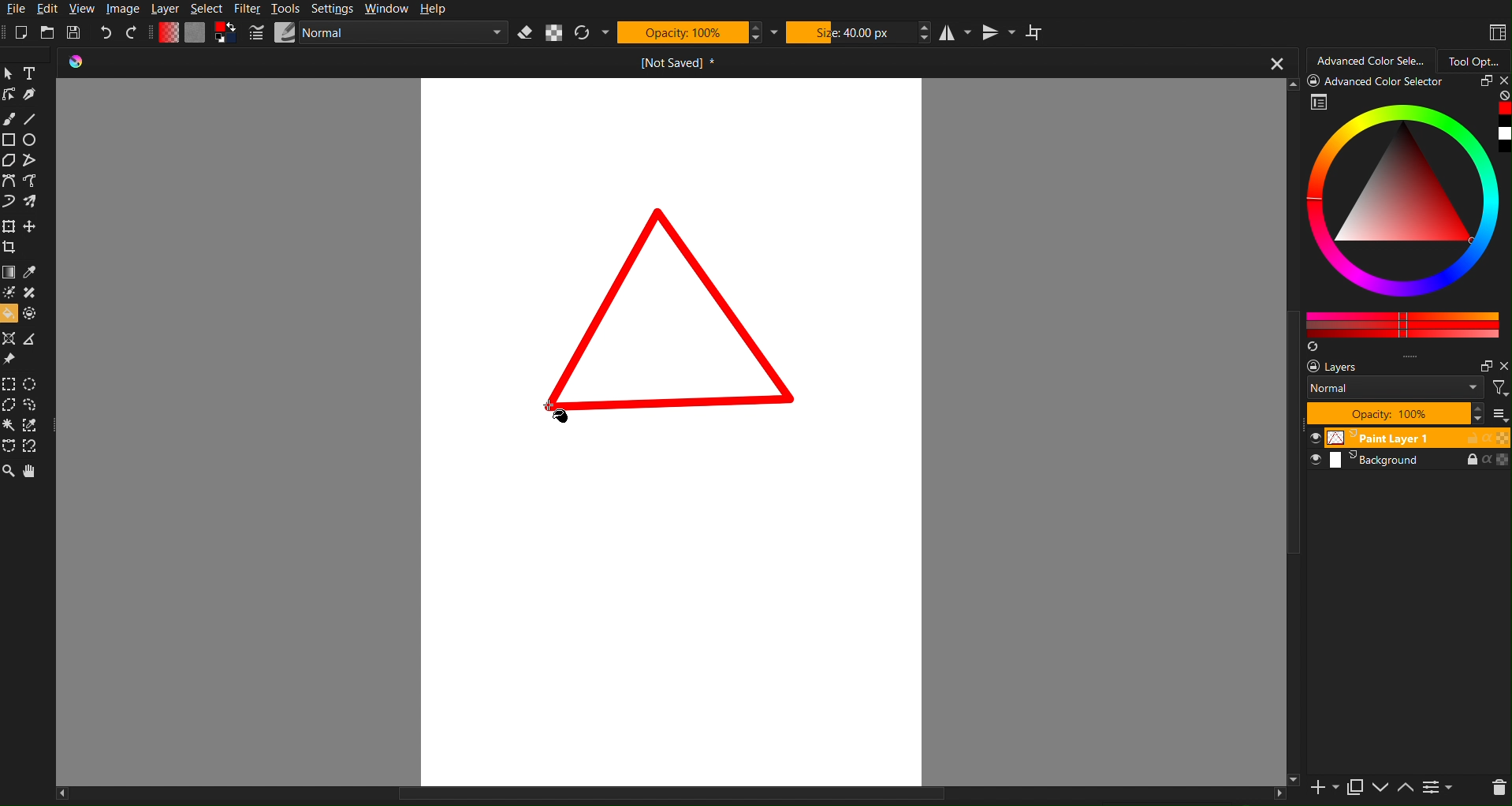 The width and height of the screenshot is (1512, 806). I want to click on scroll bar, so click(1293, 432).